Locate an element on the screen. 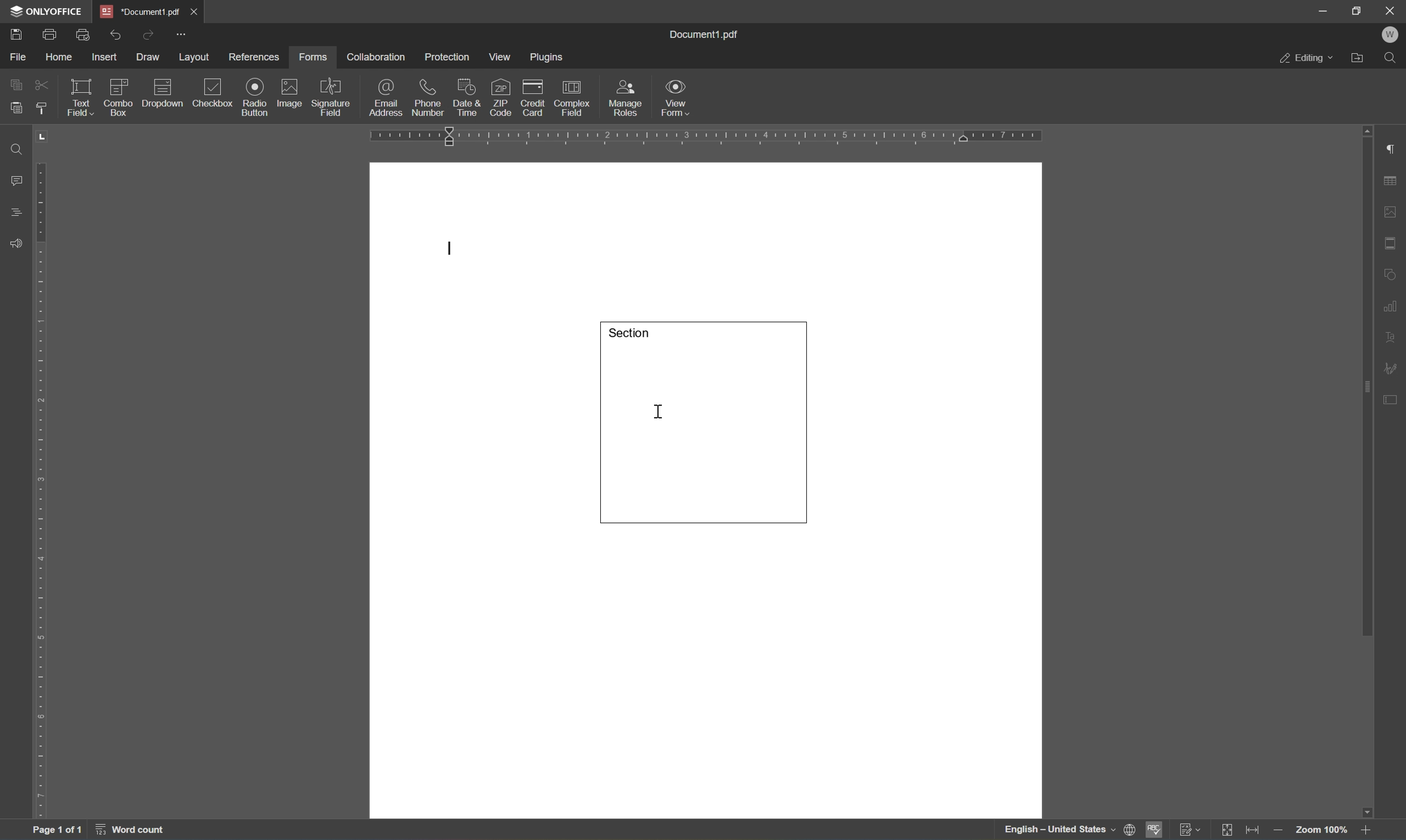 Image resolution: width=1406 pixels, height=840 pixels. page 1 of 1 is located at coordinates (57, 832).